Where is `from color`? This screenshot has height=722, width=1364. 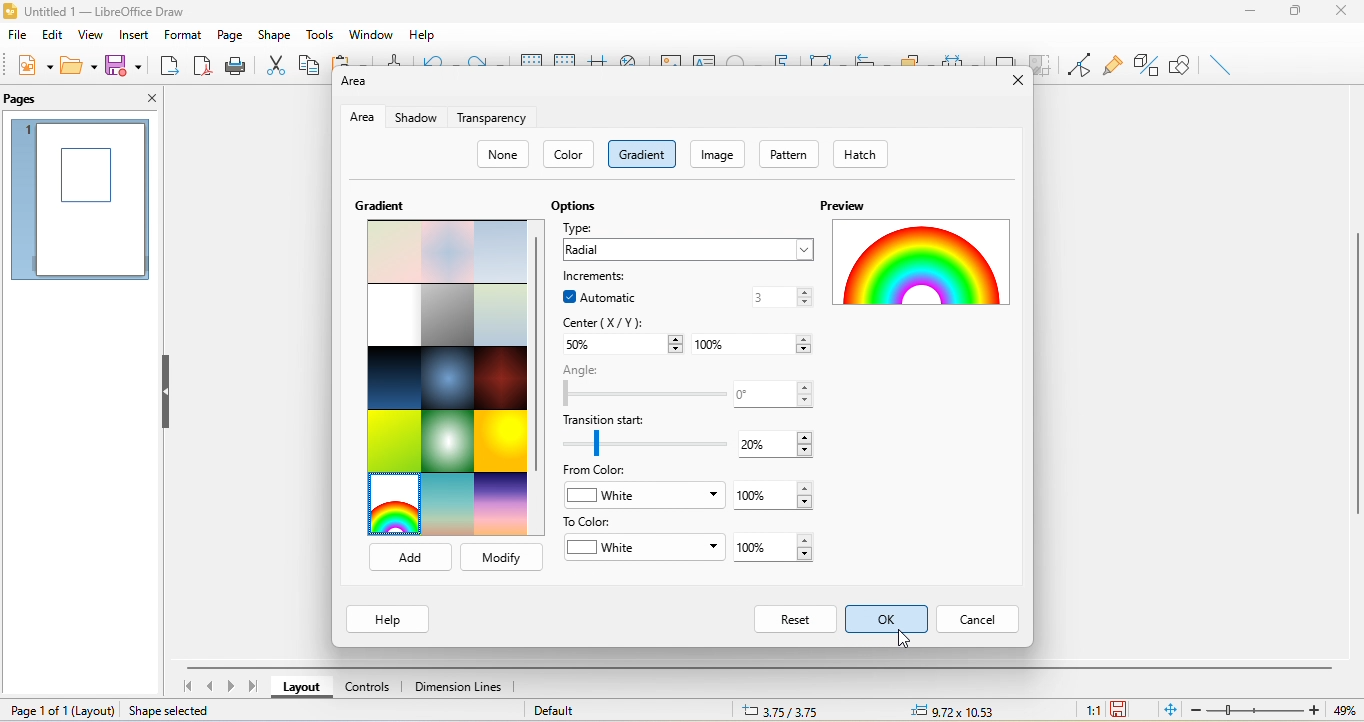
from color is located at coordinates (599, 471).